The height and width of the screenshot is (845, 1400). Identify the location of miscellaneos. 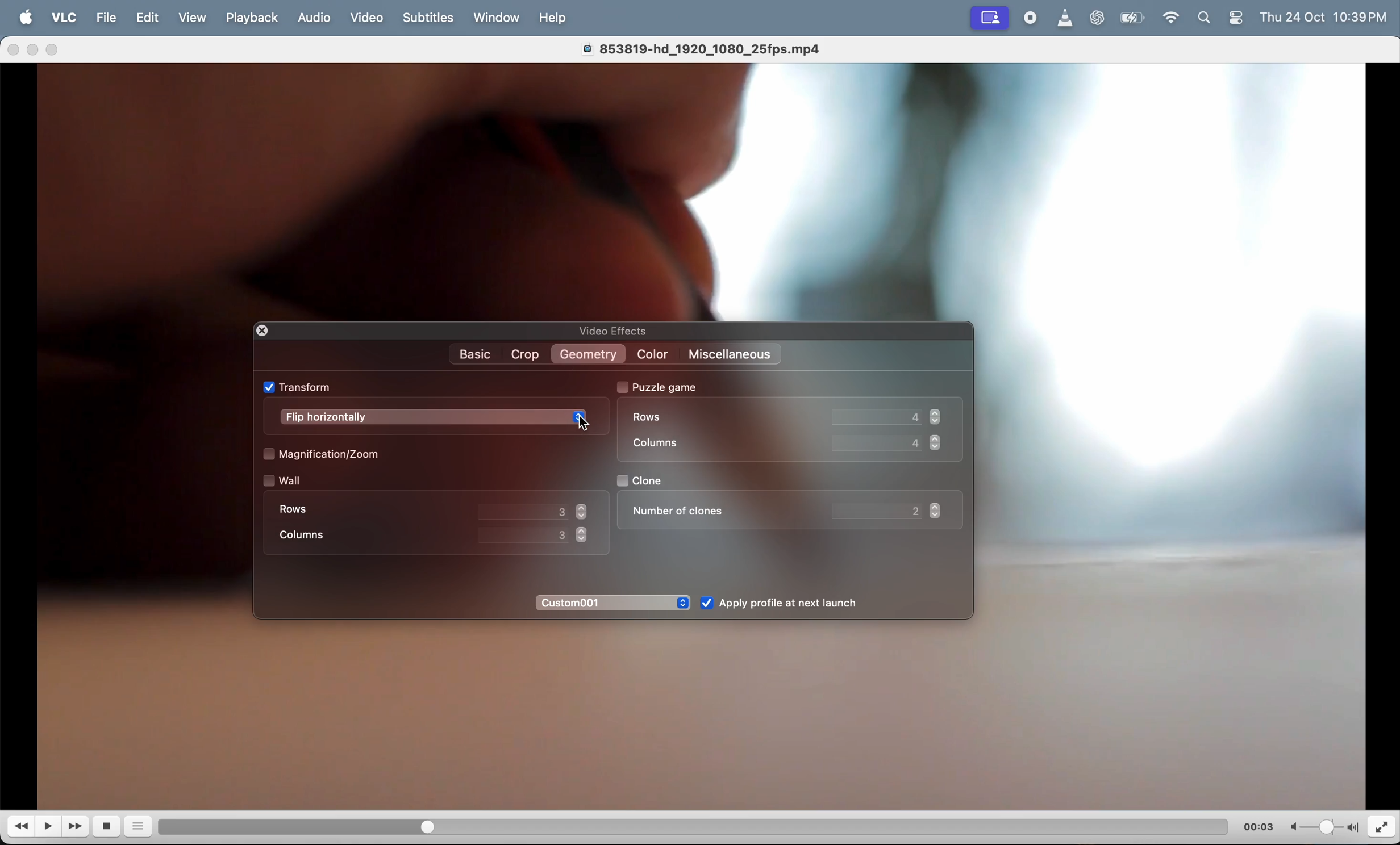
(734, 355).